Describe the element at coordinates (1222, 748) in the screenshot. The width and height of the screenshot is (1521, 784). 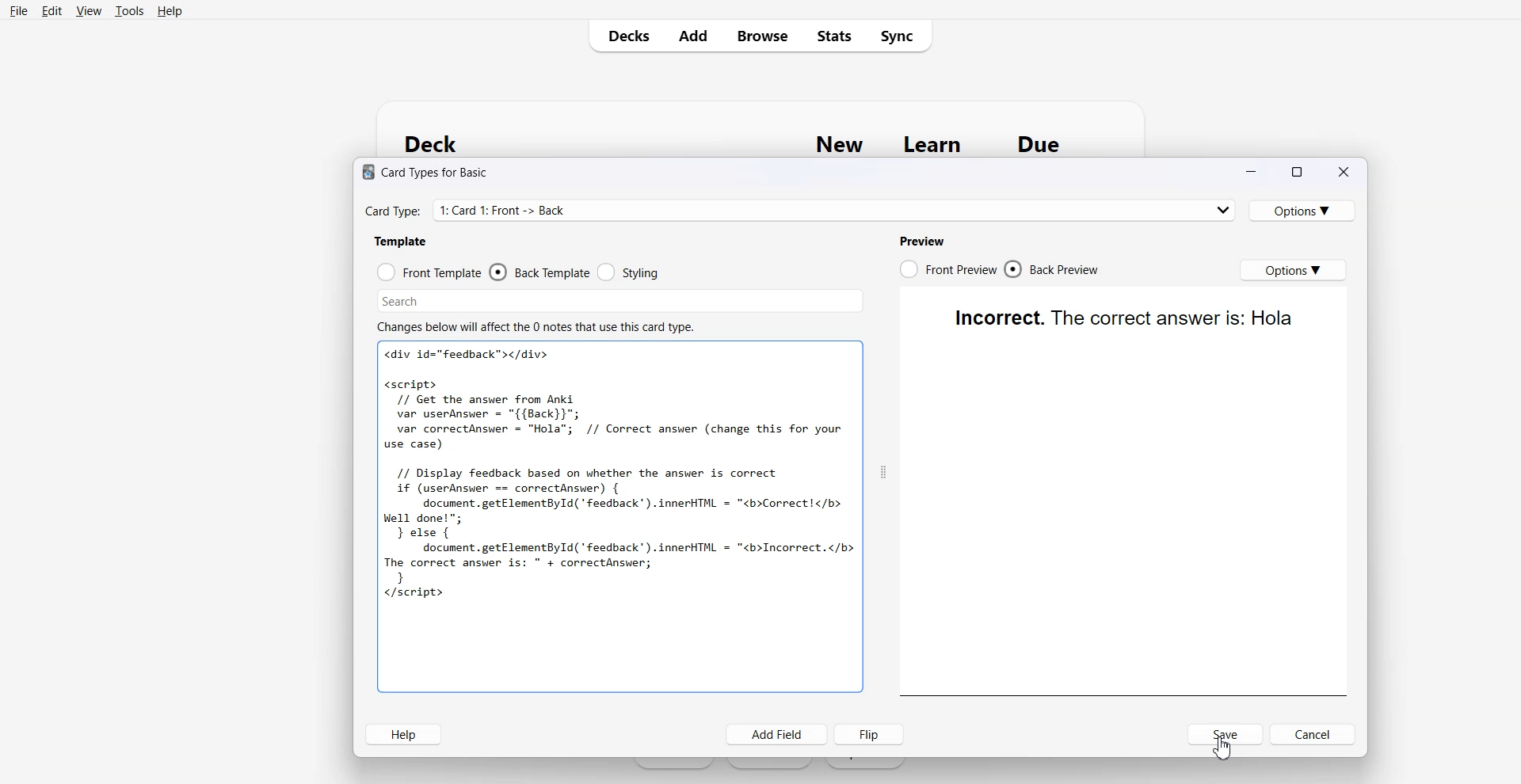
I see `Cursor` at that location.